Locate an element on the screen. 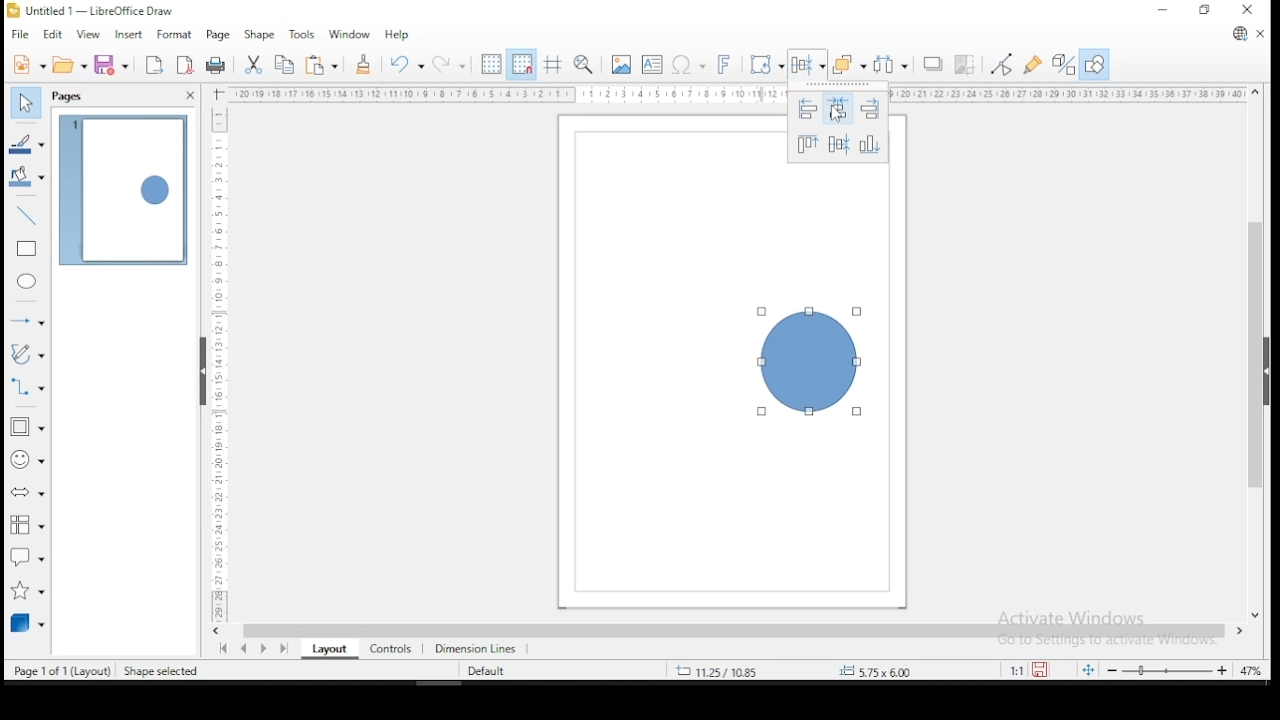  last page is located at coordinates (287, 647).